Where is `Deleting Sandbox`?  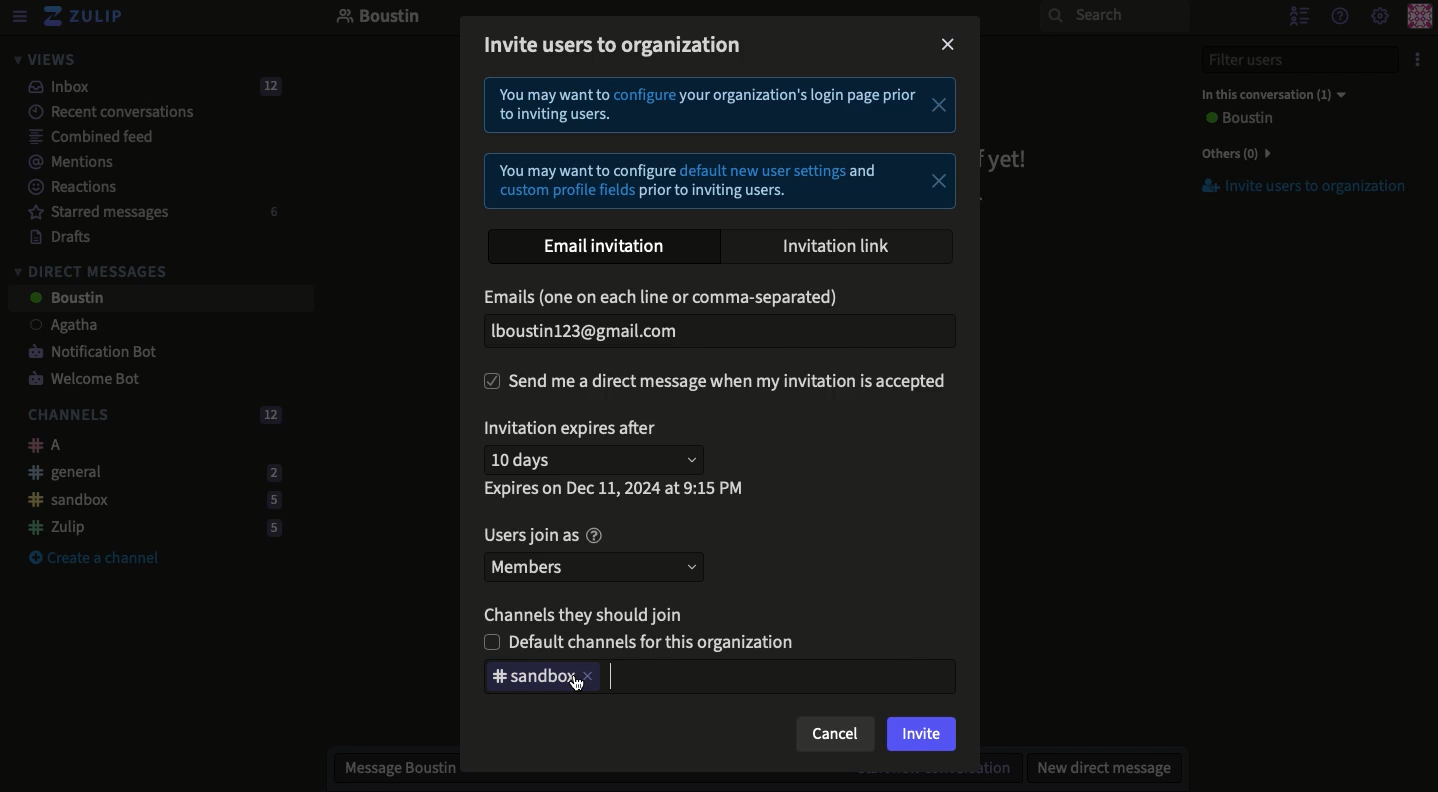
Deleting Sandbox is located at coordinates (531, 677).